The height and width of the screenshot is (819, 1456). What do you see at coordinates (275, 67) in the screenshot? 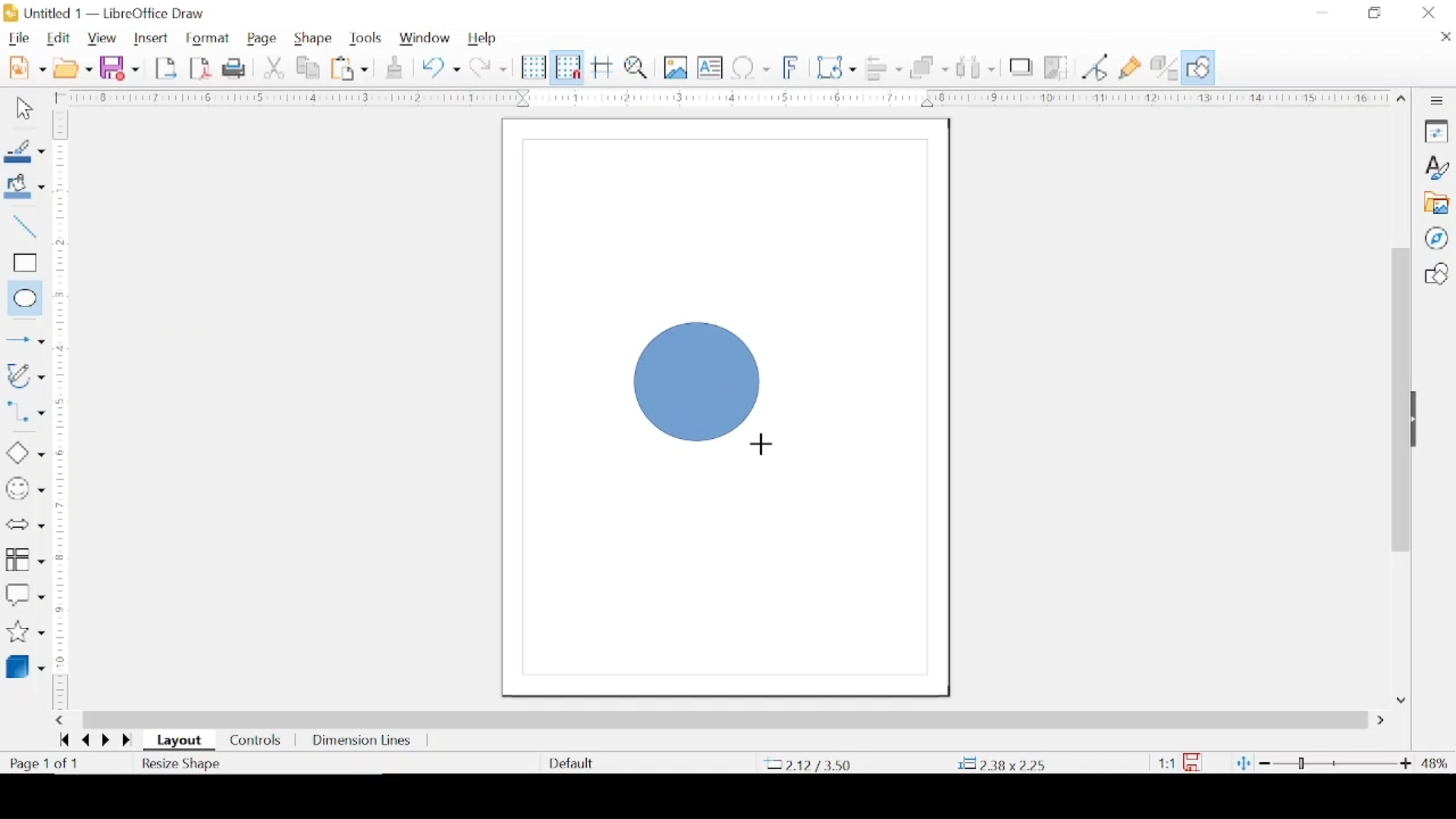
I see `cut` at bounding box center [275, 67].